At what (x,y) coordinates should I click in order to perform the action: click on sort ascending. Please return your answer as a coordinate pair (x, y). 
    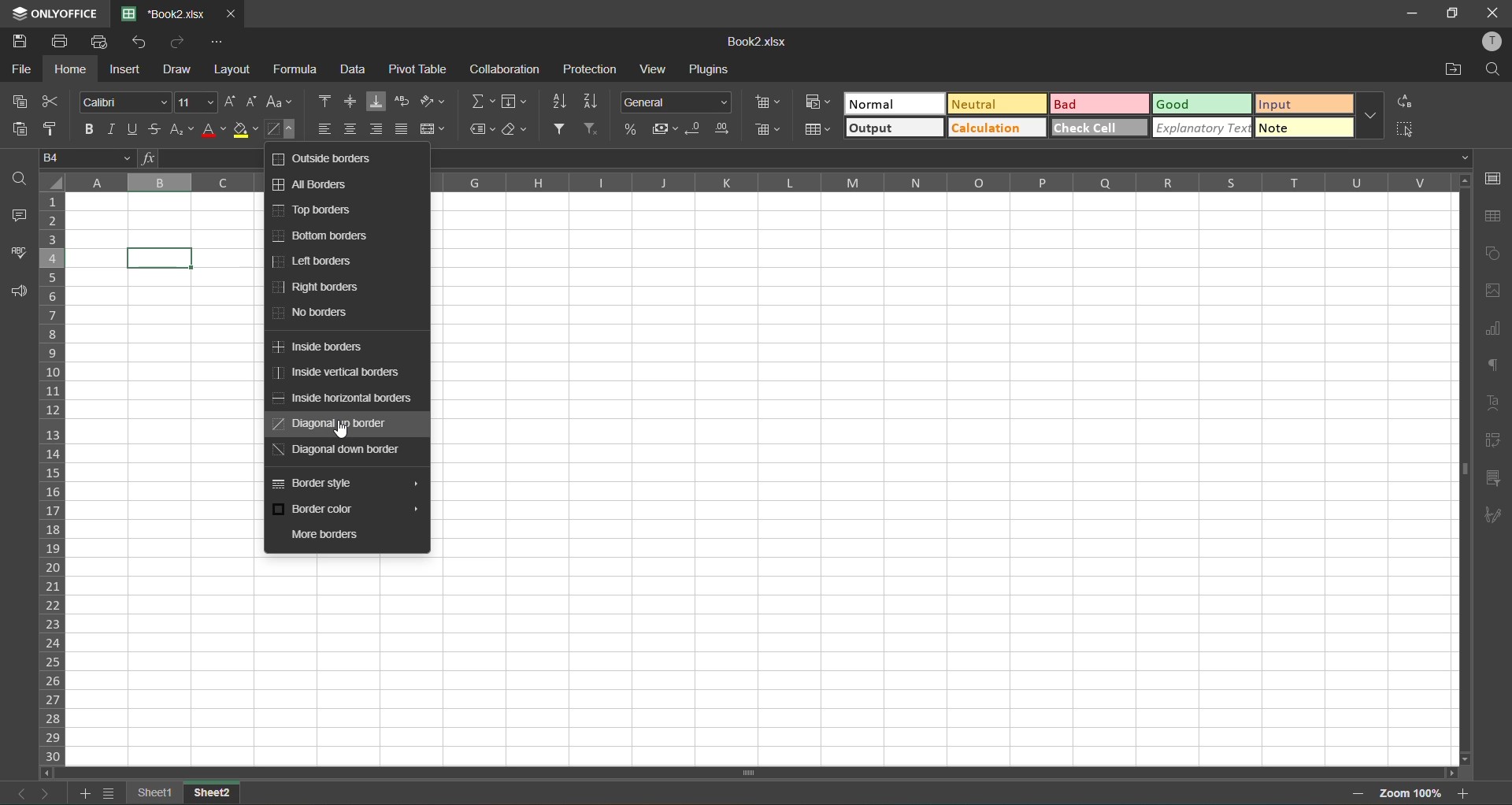
    Looking at the image, I should click on (565, 102).